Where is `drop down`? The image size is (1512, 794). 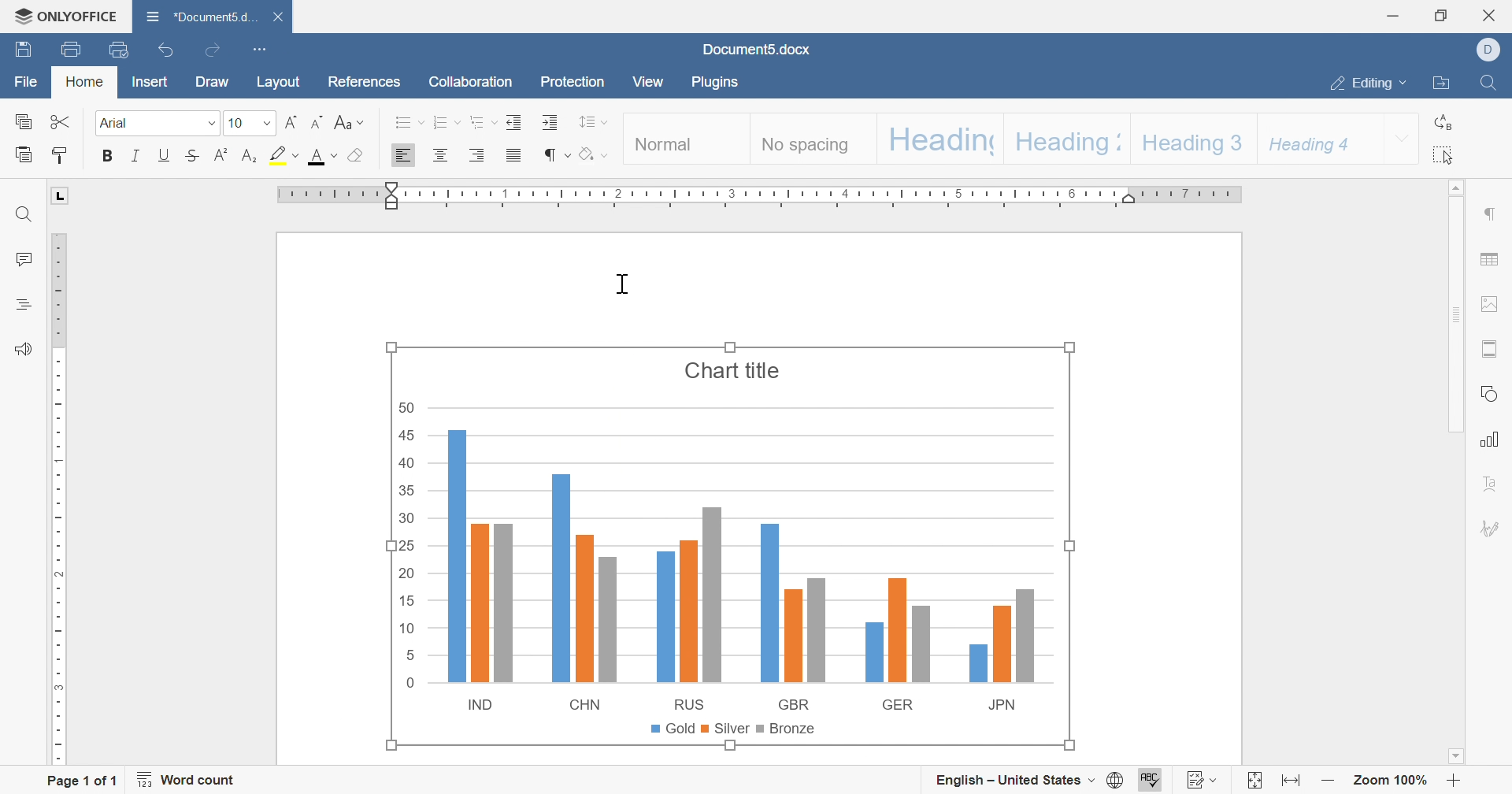
drop down is located at coordinates (1403, 138).